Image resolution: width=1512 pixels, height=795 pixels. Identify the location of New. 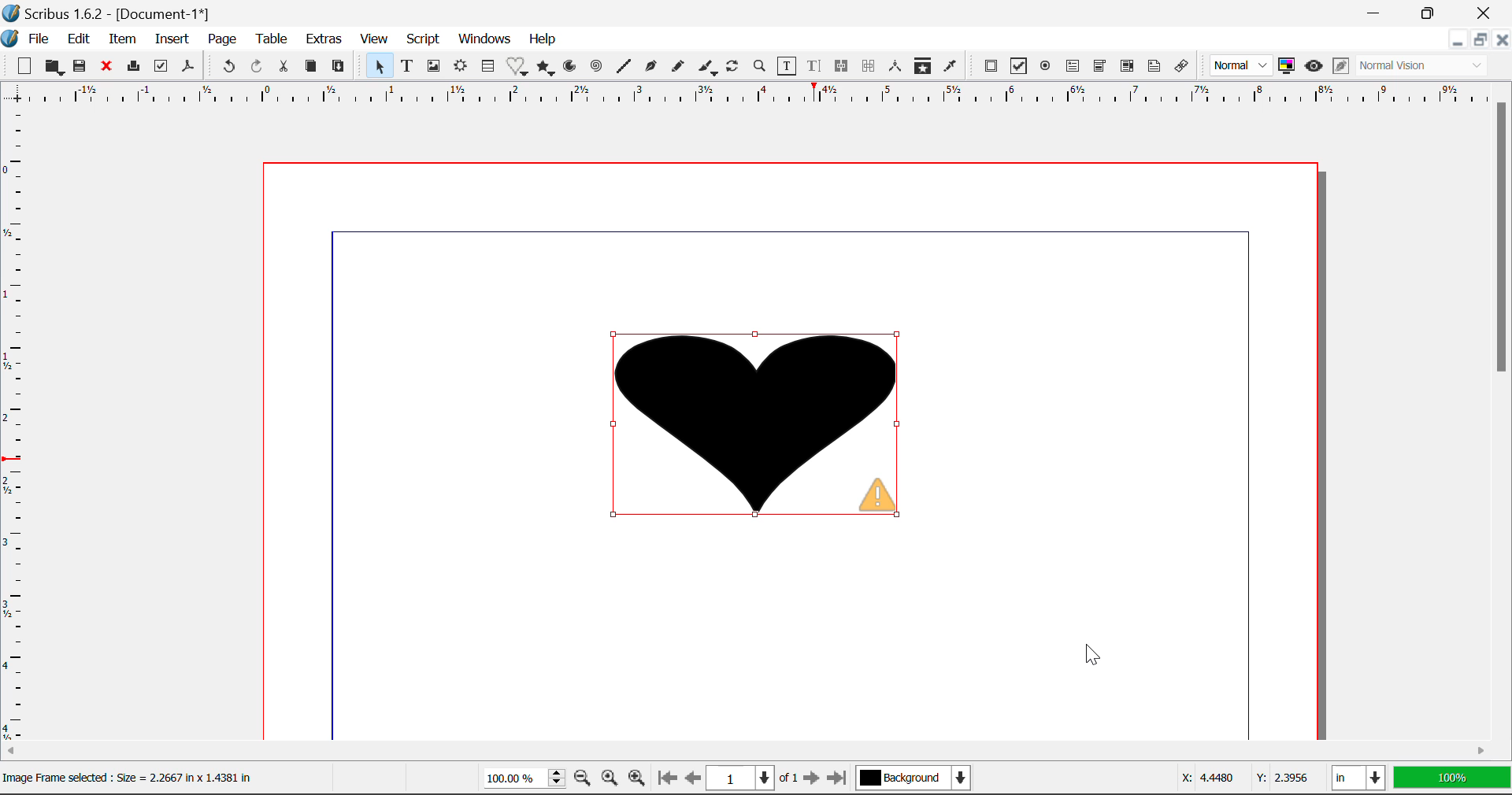
(24, 68).